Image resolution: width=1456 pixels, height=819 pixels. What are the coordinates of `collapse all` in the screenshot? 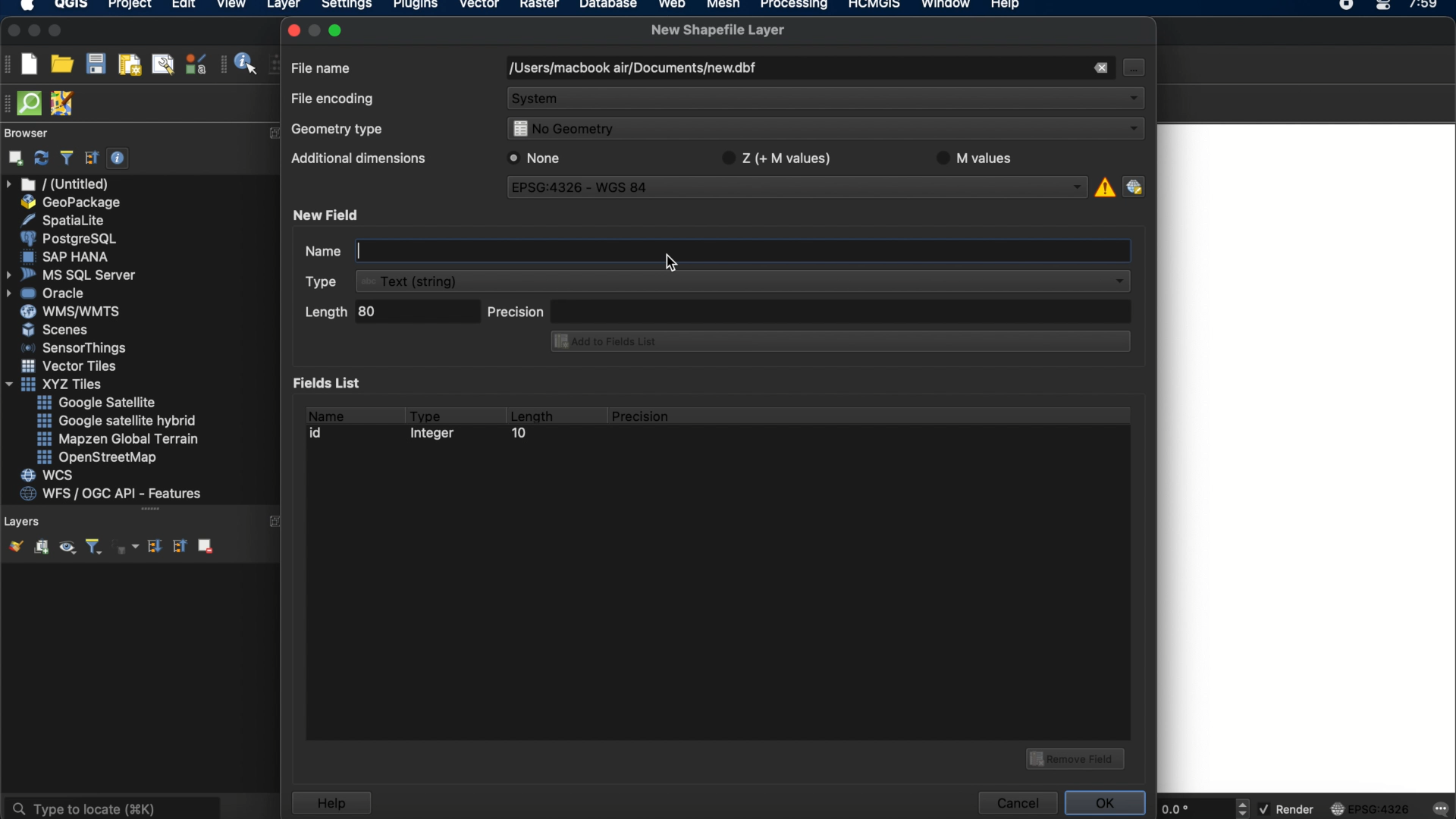 It's located at (92, 158).